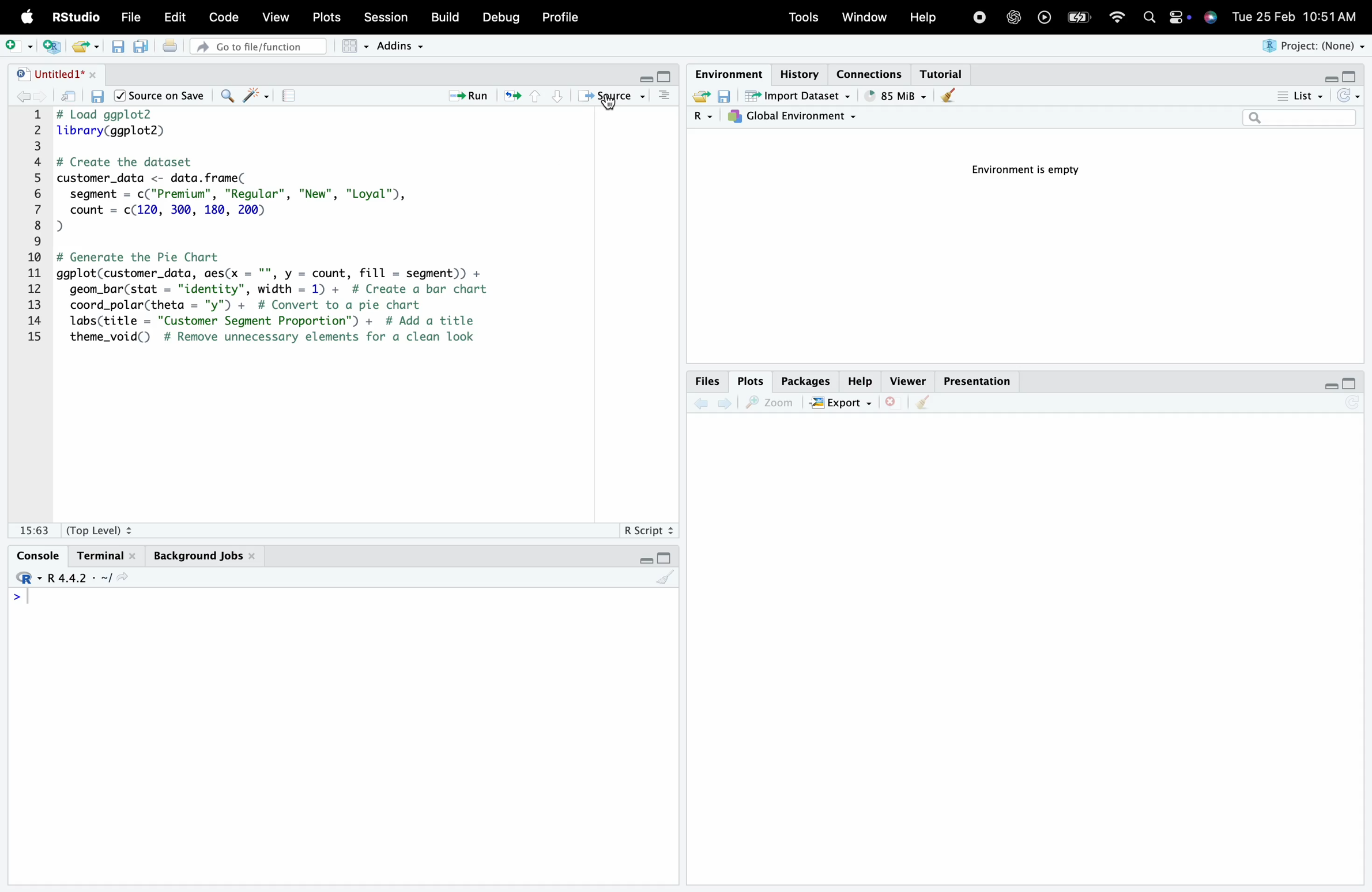 This screenshot has height=892, width=1372. I want to click on Edit, so click(177, 18).